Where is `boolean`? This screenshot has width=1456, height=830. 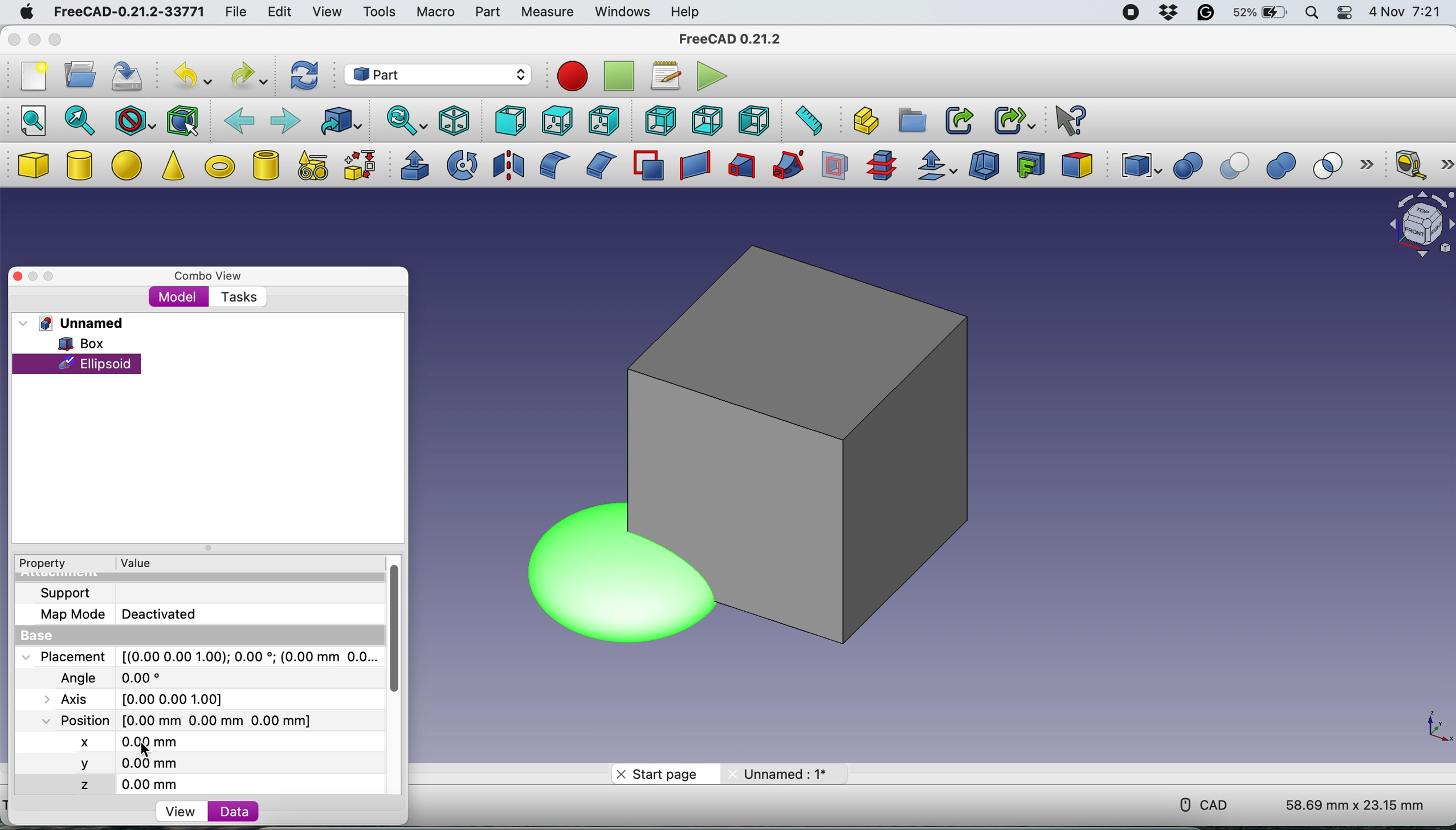
boolean is located at coordinates (1188, 166).